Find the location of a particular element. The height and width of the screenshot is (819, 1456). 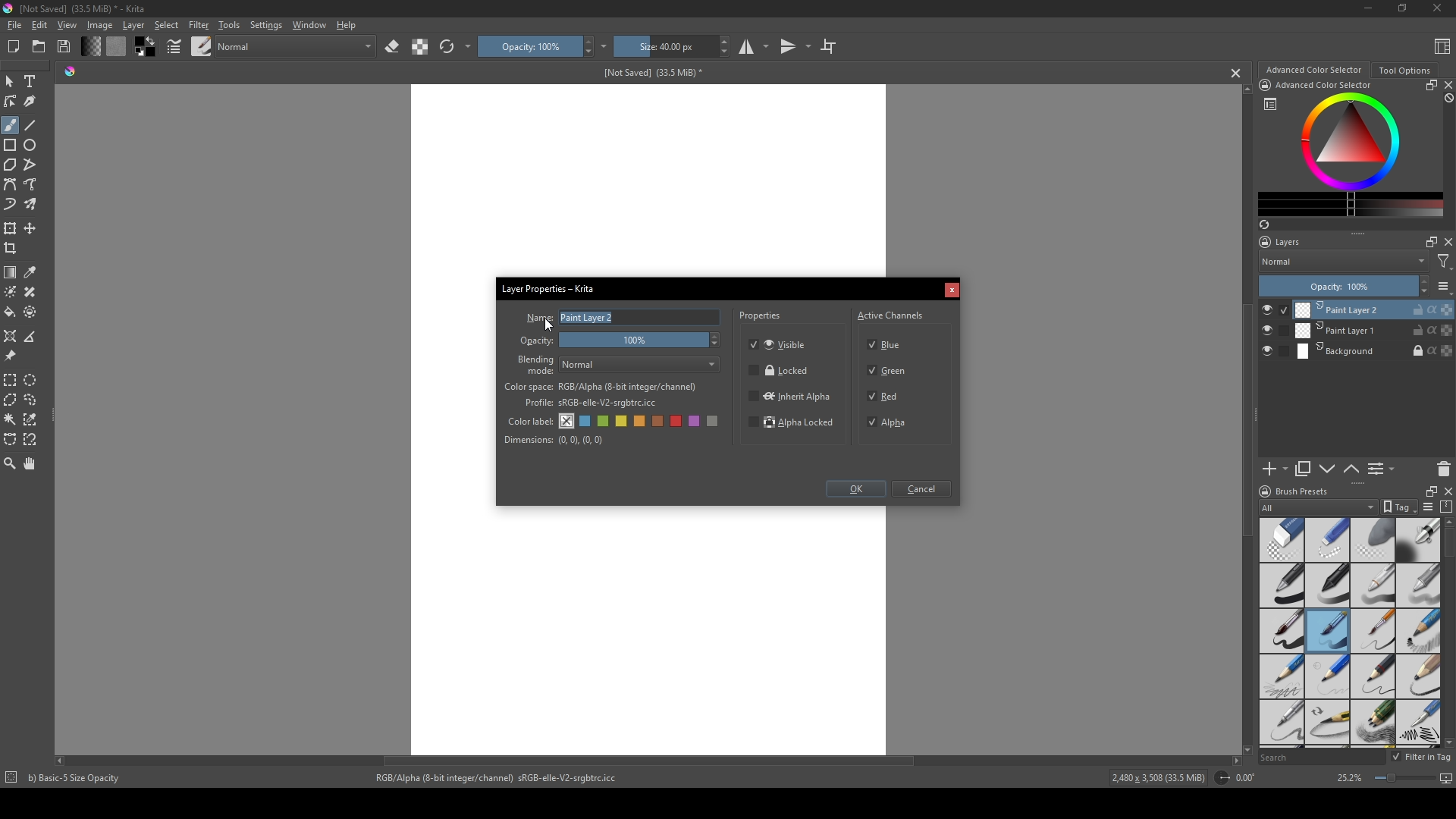

Opacity is located at coordinates (529, 46).